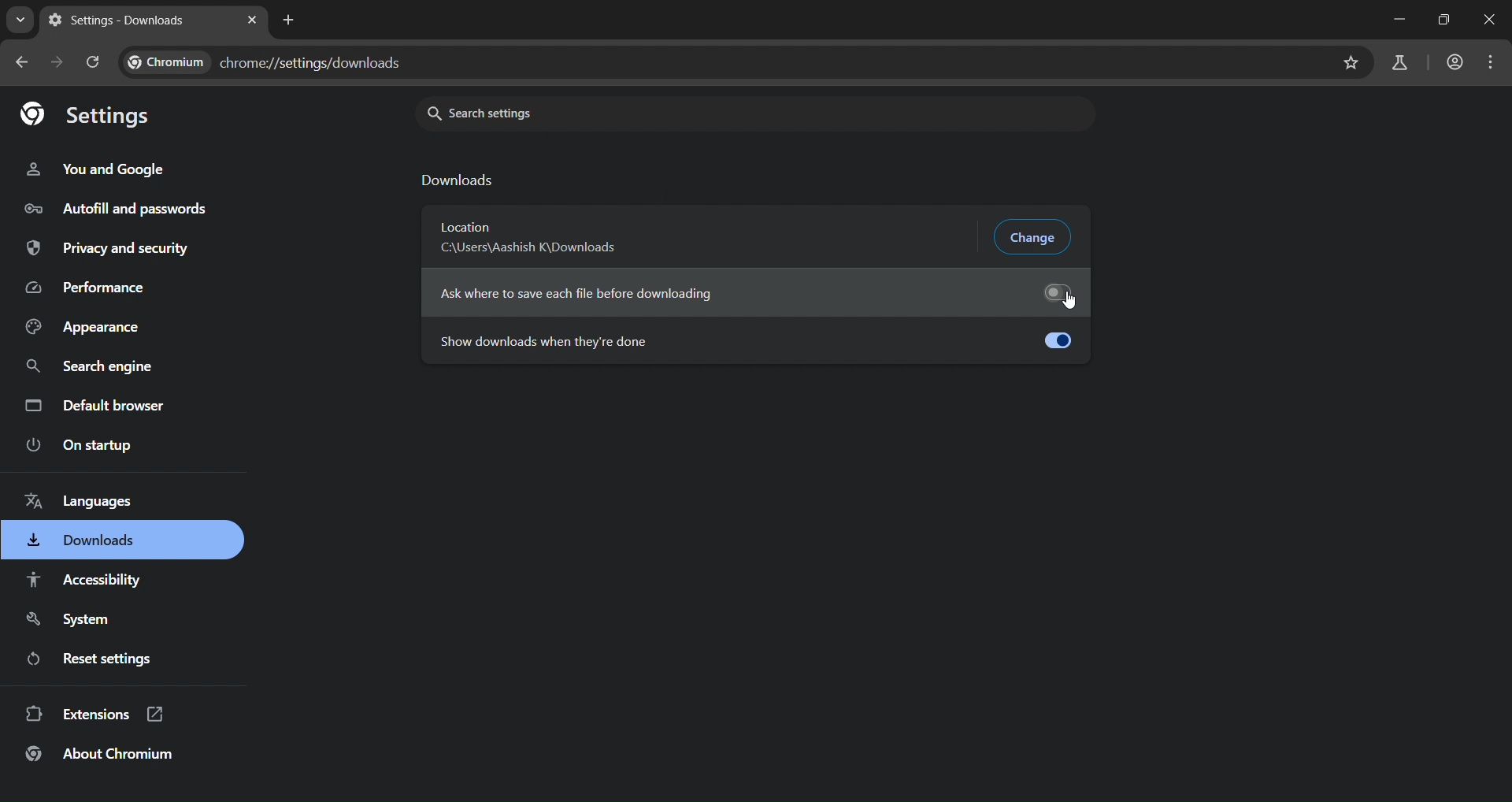 The width and height of the screenshot is (1512, 802). Describe the element at coordinates (117, 21) in the screenshot. I see `current tab` at that location.